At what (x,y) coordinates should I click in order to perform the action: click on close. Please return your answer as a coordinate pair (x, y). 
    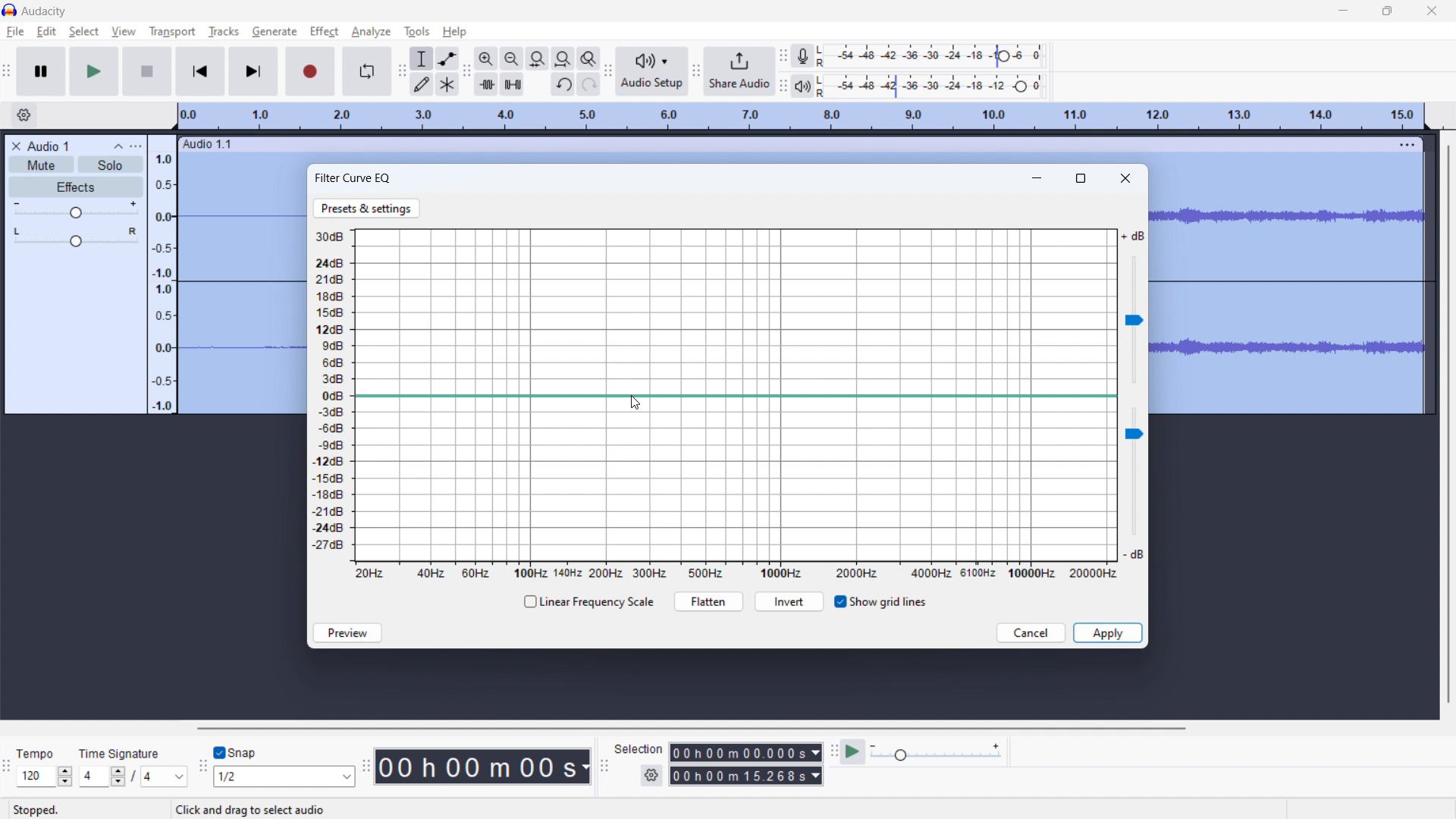
    Looking at the image, I should click on (1126, 177).